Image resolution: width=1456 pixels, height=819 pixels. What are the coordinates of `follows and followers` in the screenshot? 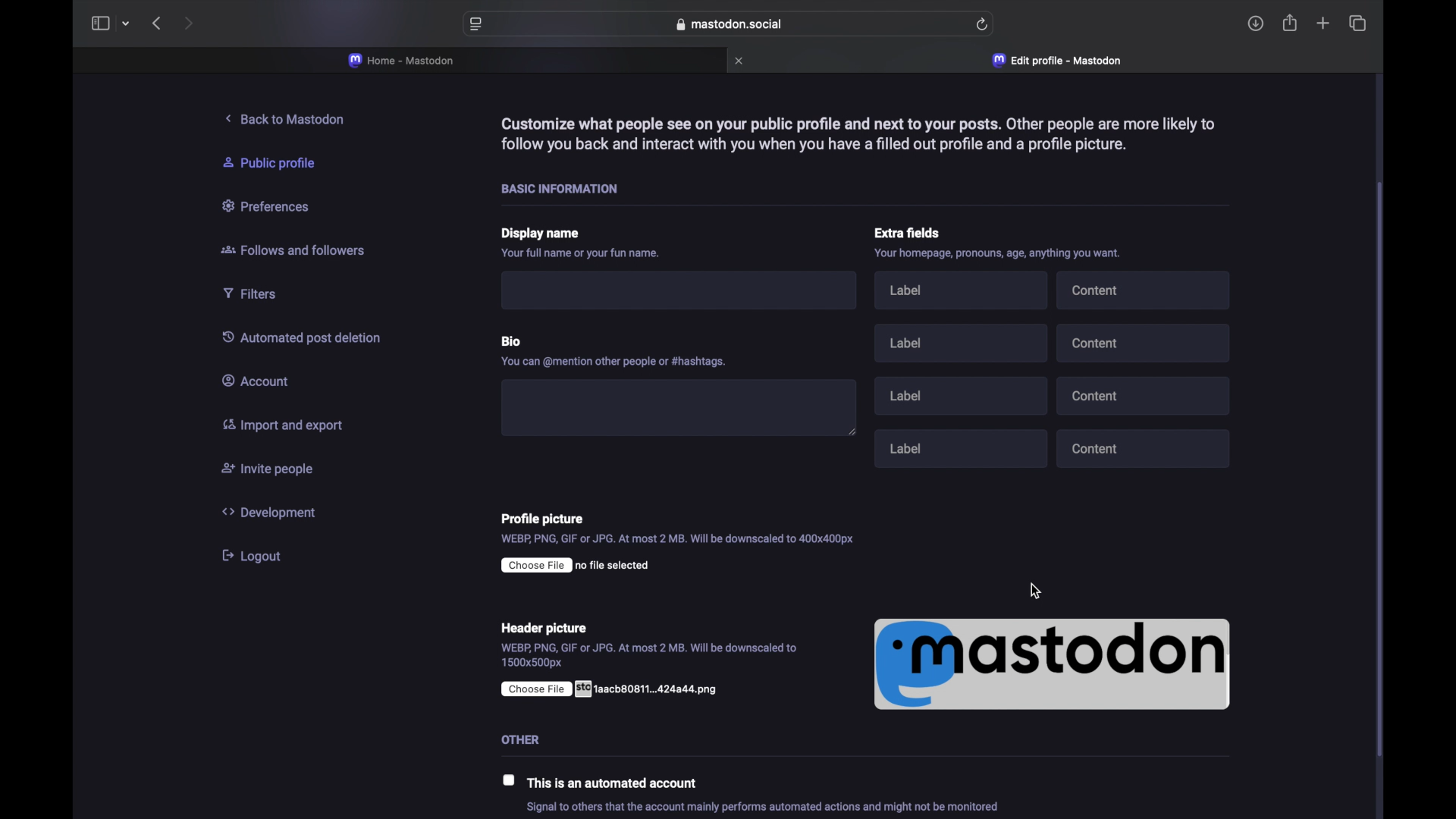 It's located at (294, 252).